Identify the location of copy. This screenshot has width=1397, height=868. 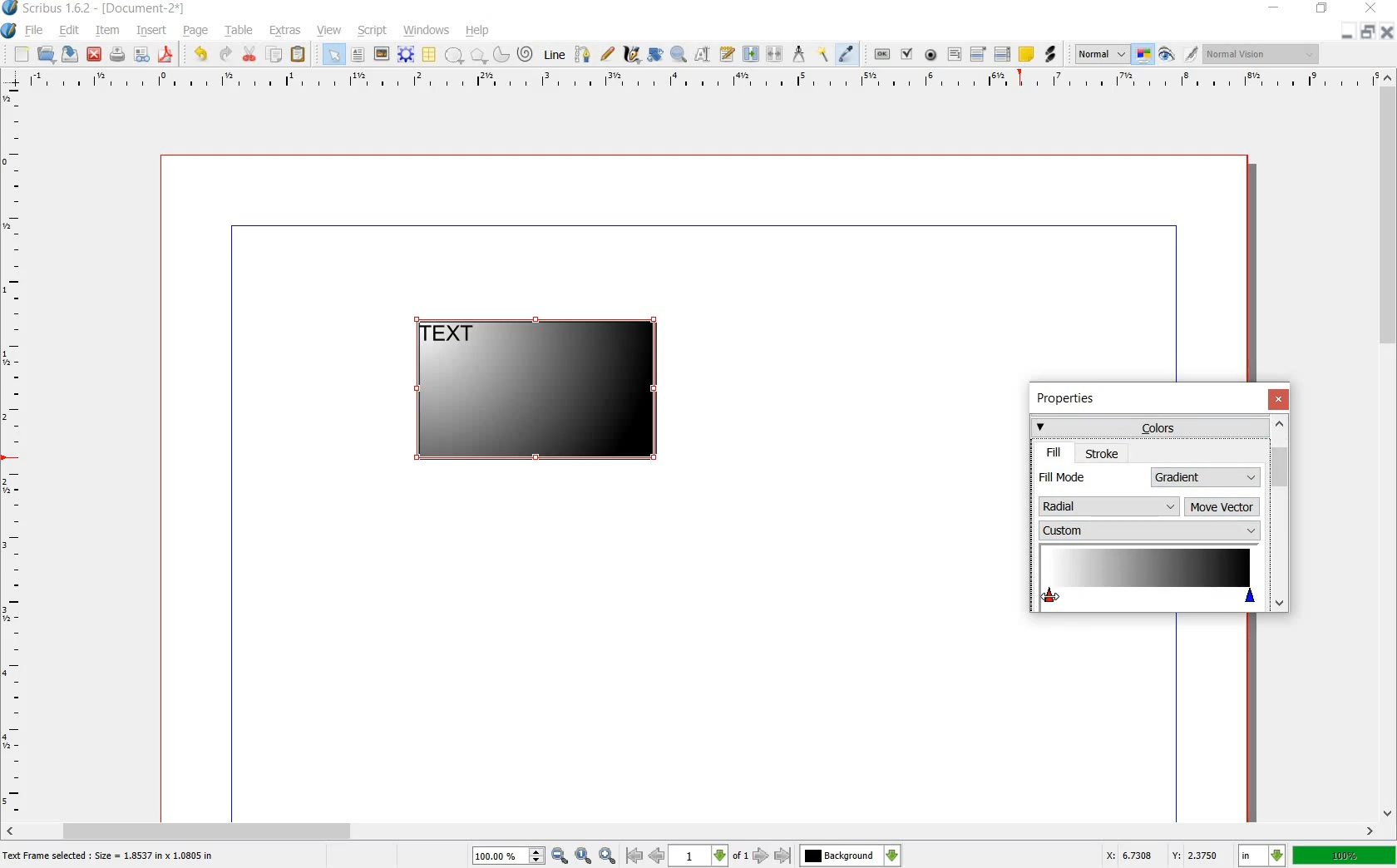
(275, 55).